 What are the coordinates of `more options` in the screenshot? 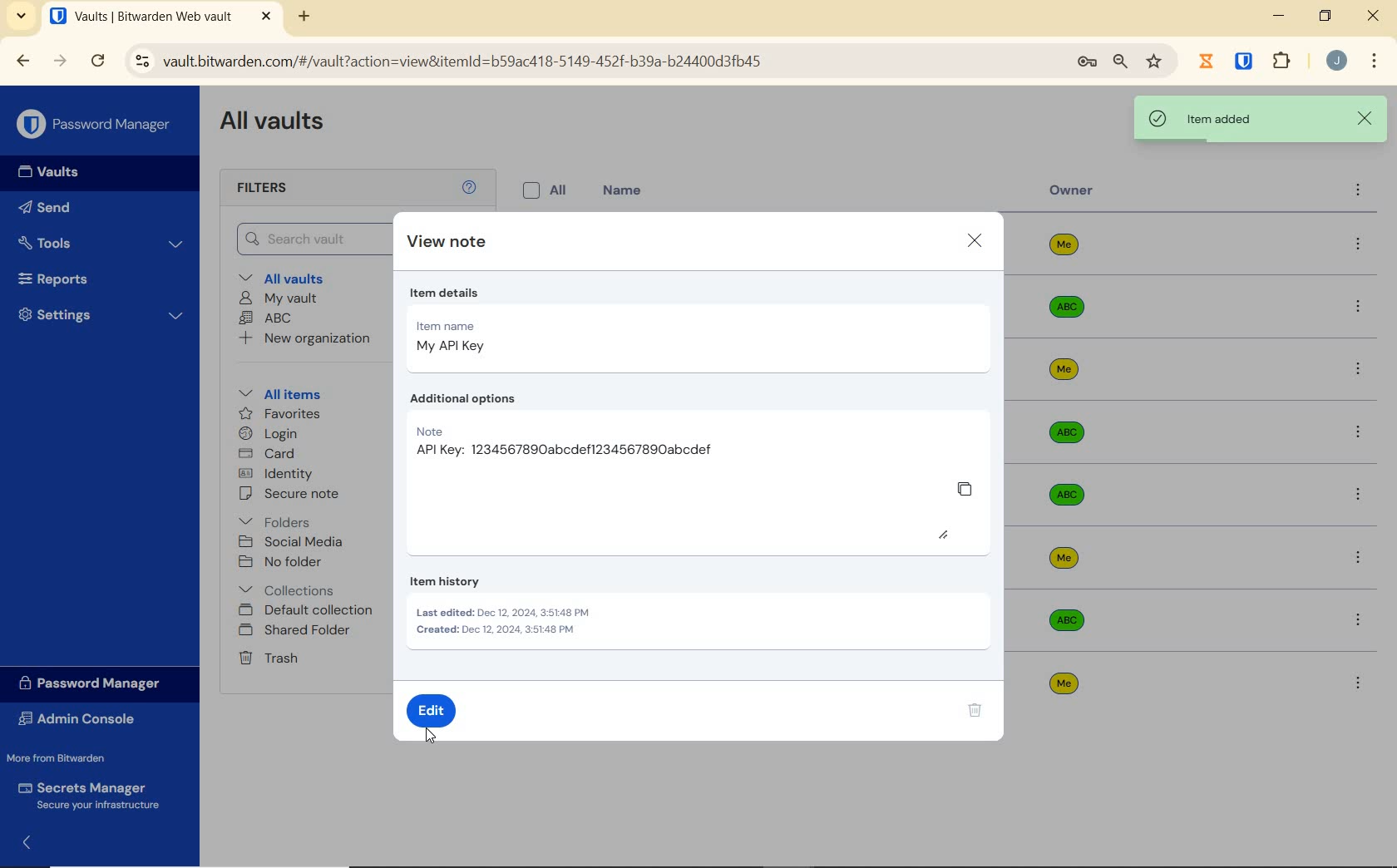 It's located at (1356, 679).